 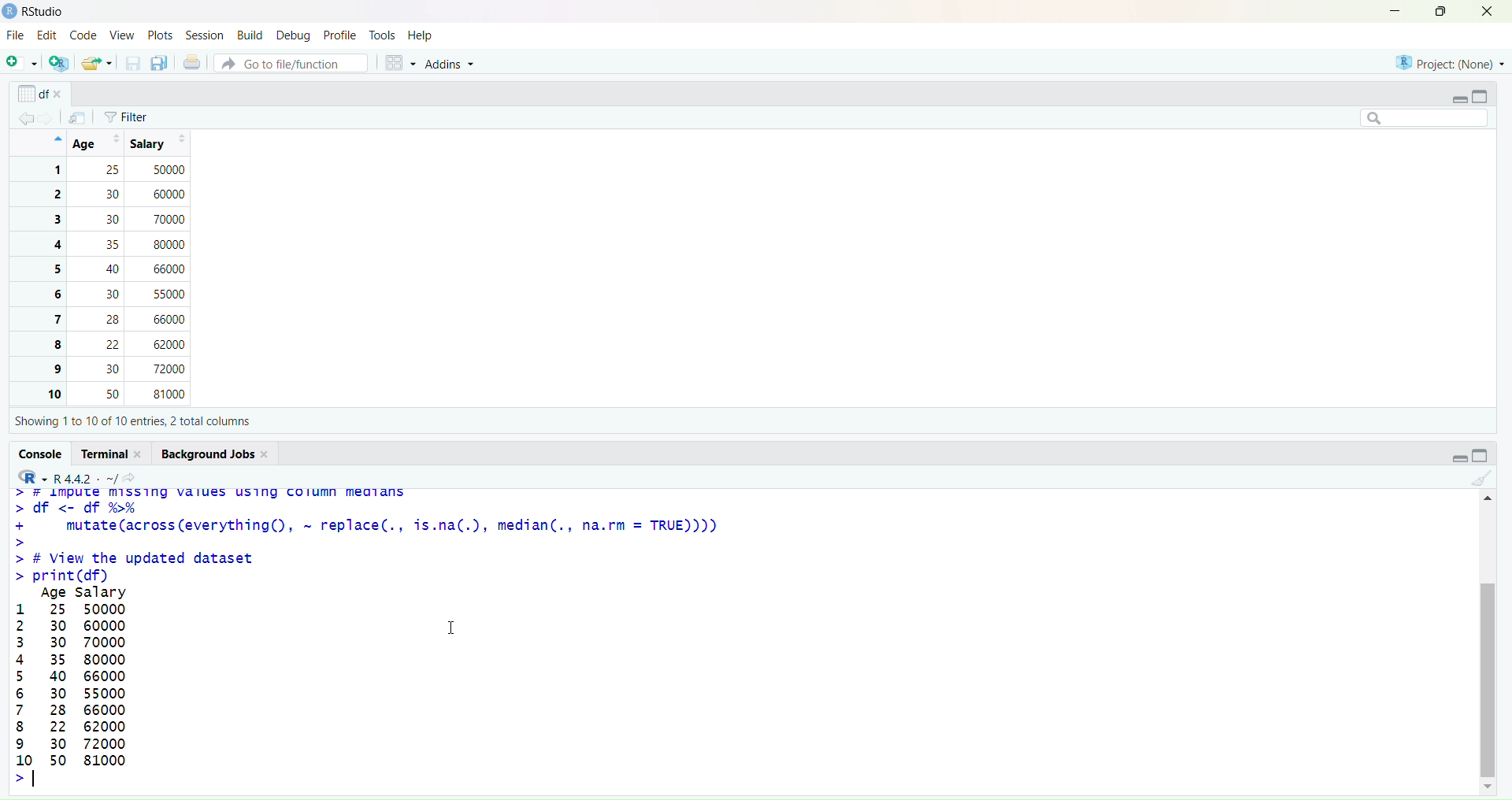 What do you see at coordinates (193, 64) in the screenshot?
I see `print the current file` at bounding box center [193, 64].